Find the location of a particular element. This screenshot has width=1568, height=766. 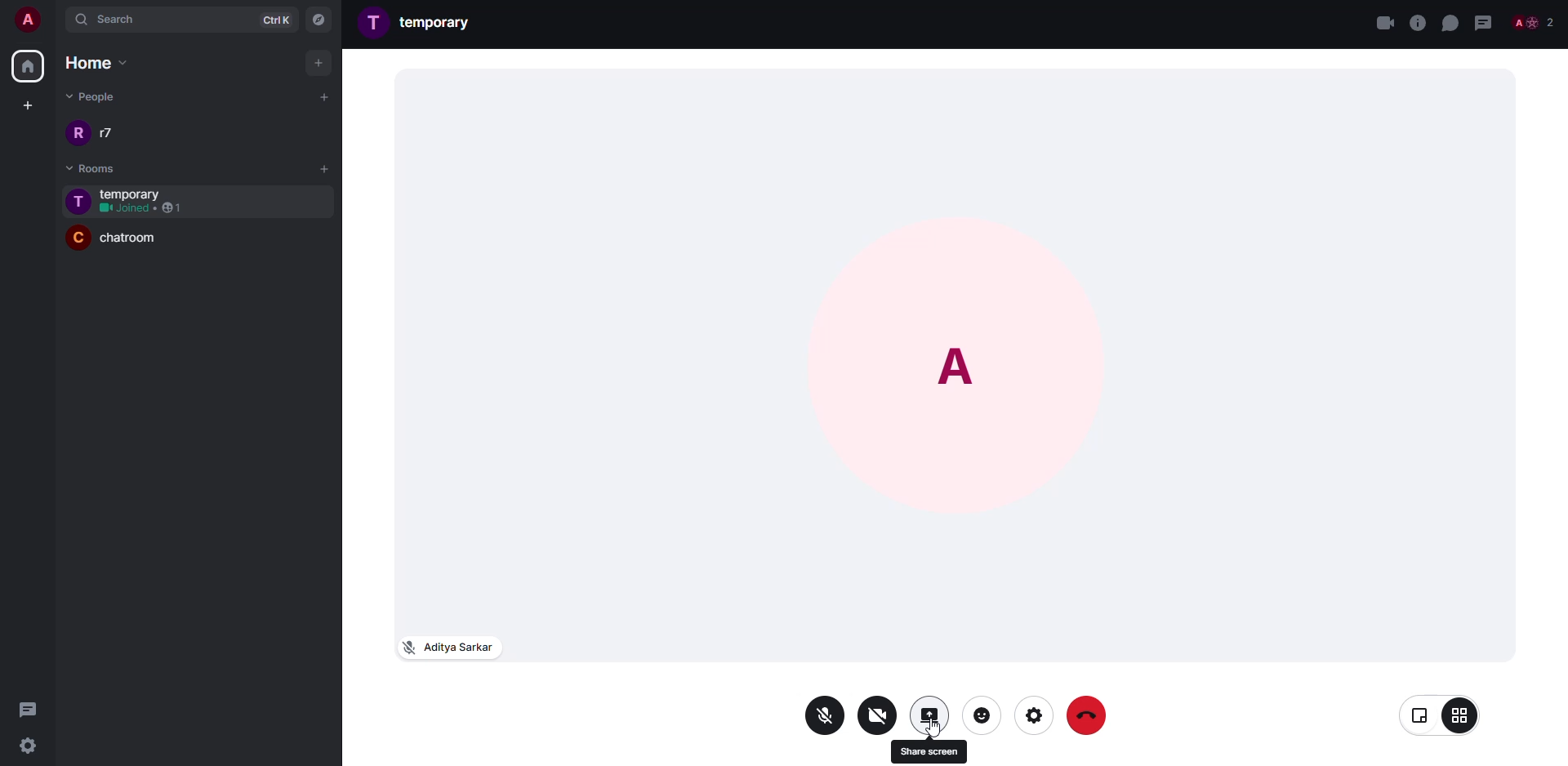

profile is located at coordinates (960, 358).